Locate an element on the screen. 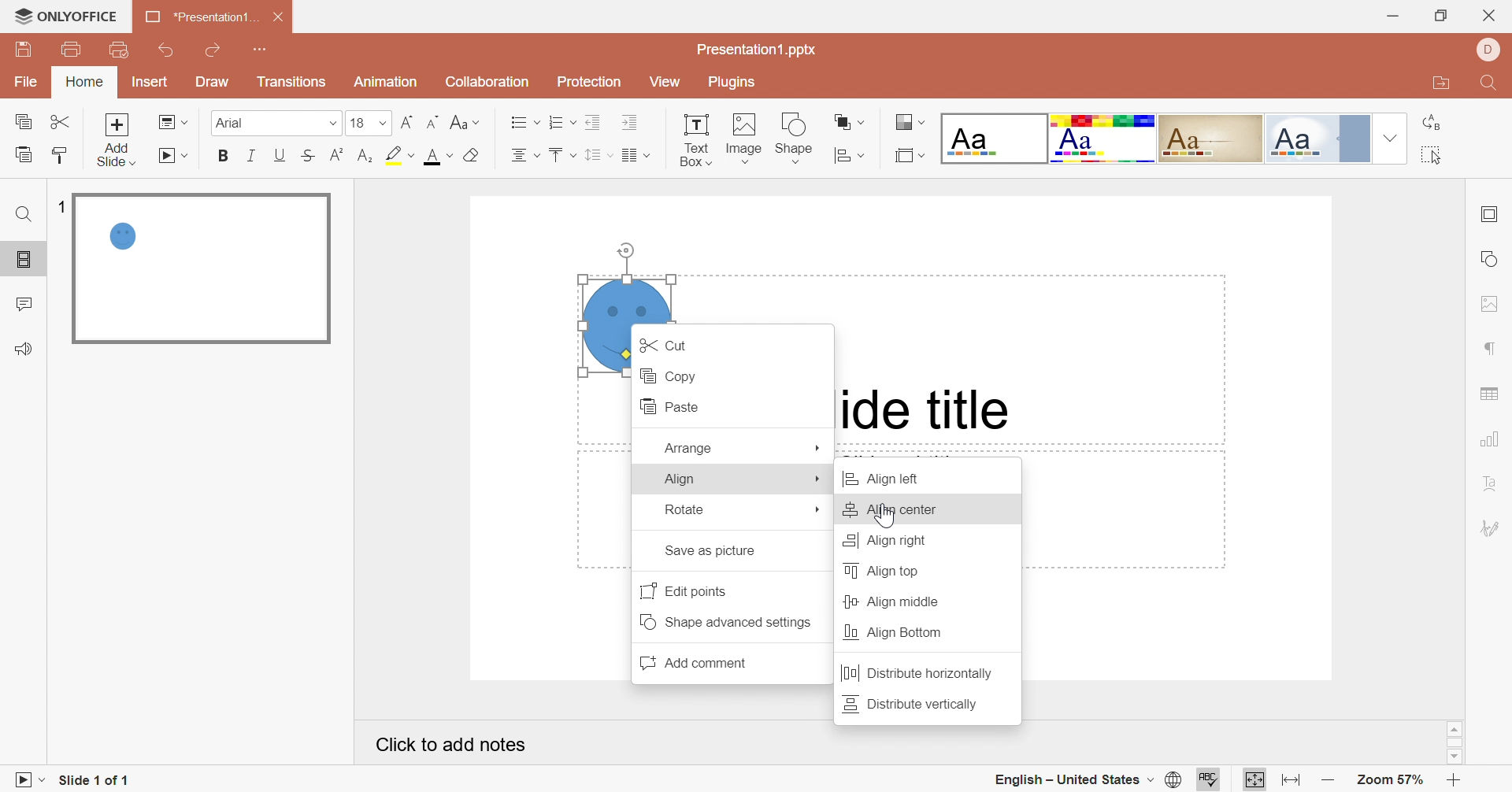 The width and height of the screenshot is (1512, 792). Quick Print is located at coordinates (117, 48).